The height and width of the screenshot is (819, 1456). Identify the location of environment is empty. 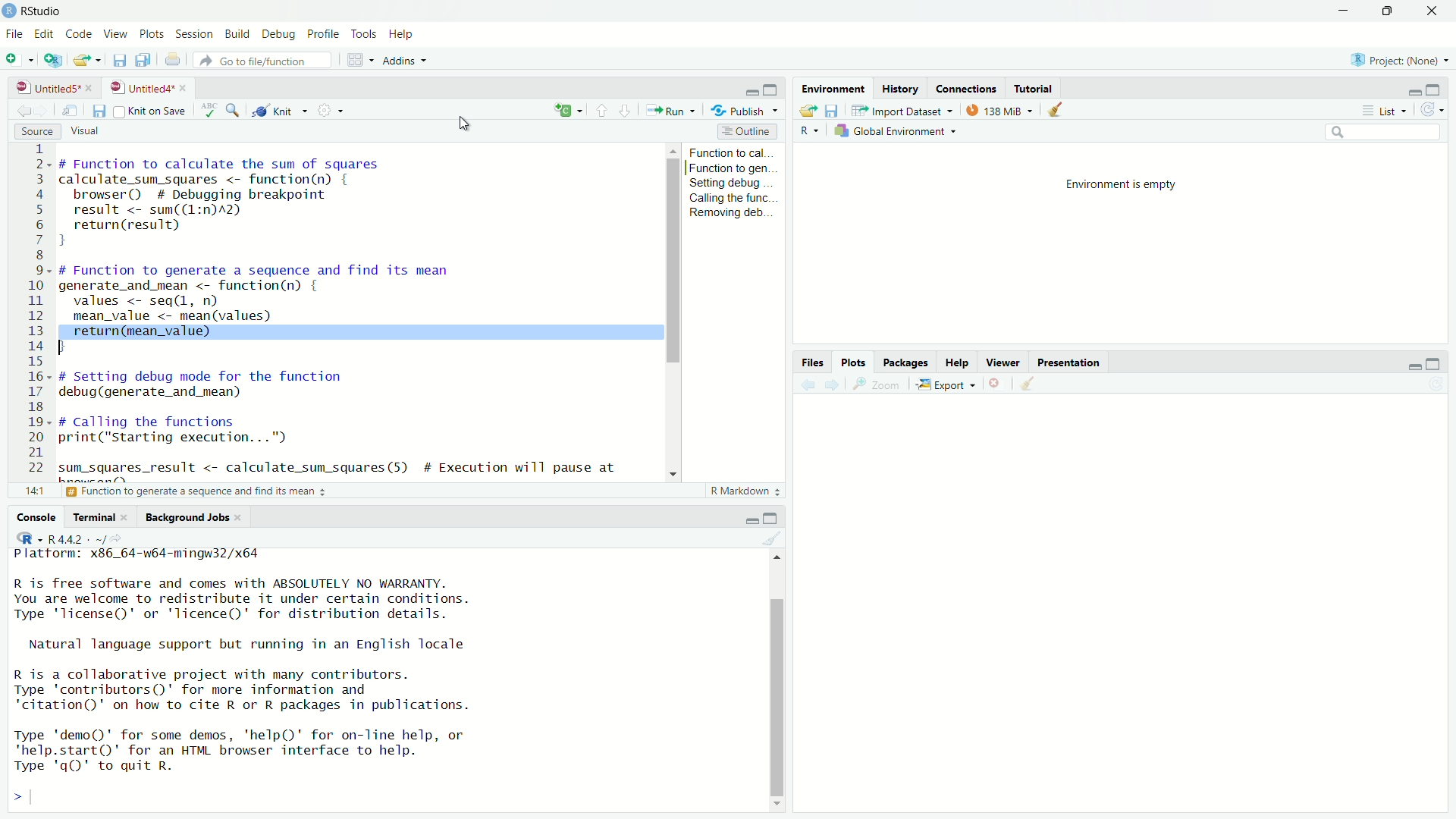
(1135, 187).